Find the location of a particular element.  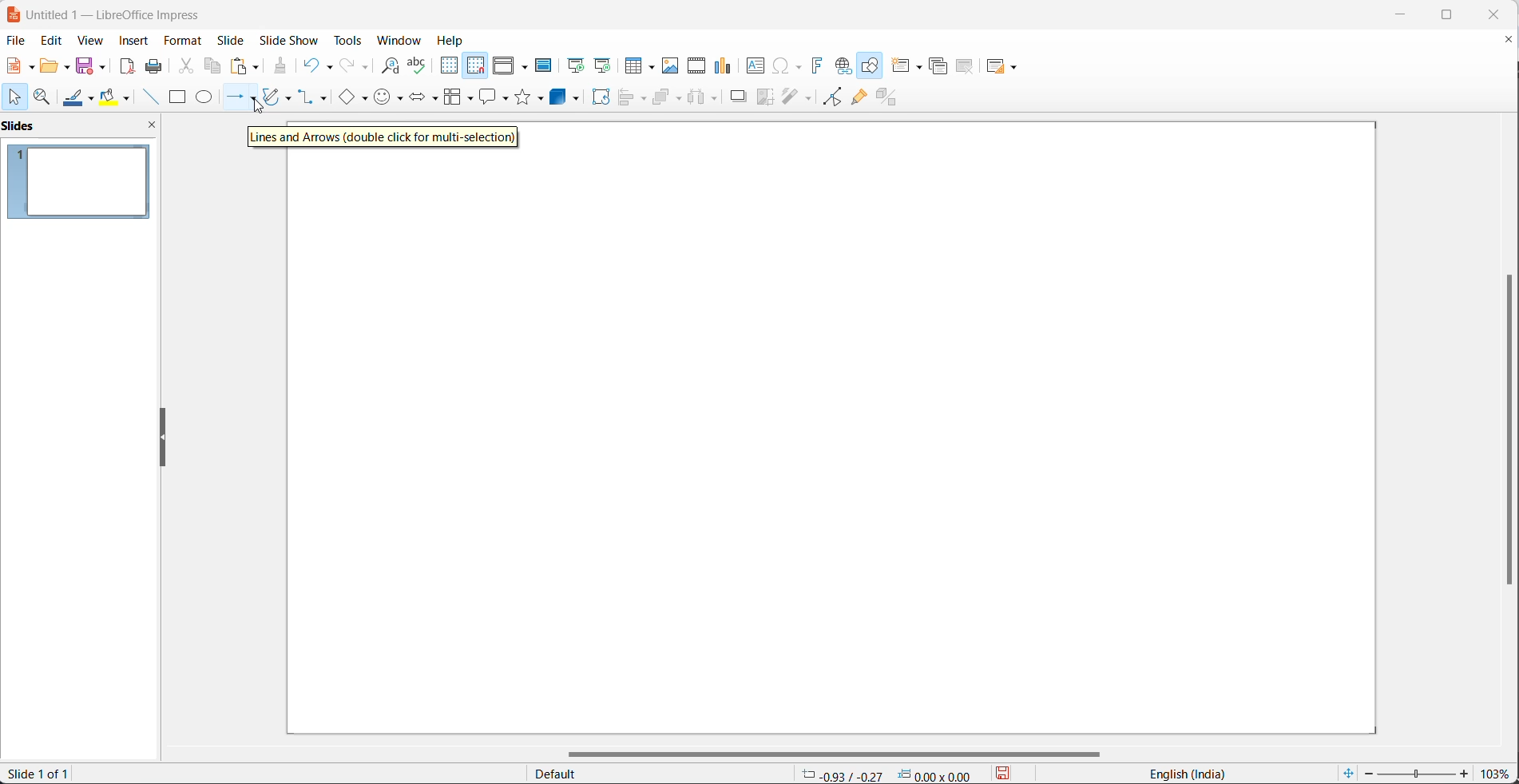

connectors is located at coordinates (315, 98).